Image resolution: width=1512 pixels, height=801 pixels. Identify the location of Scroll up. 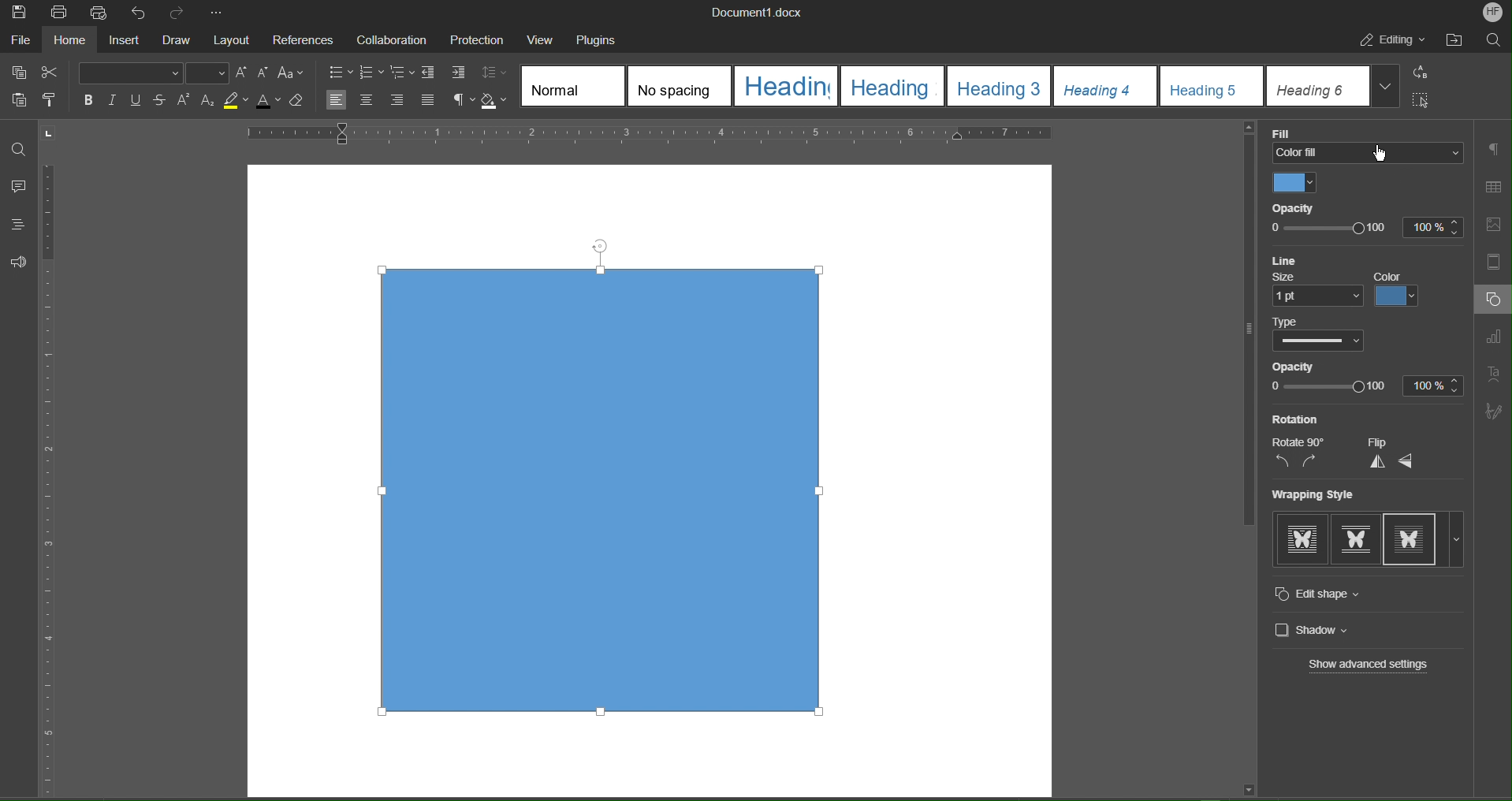
(1247, 129).